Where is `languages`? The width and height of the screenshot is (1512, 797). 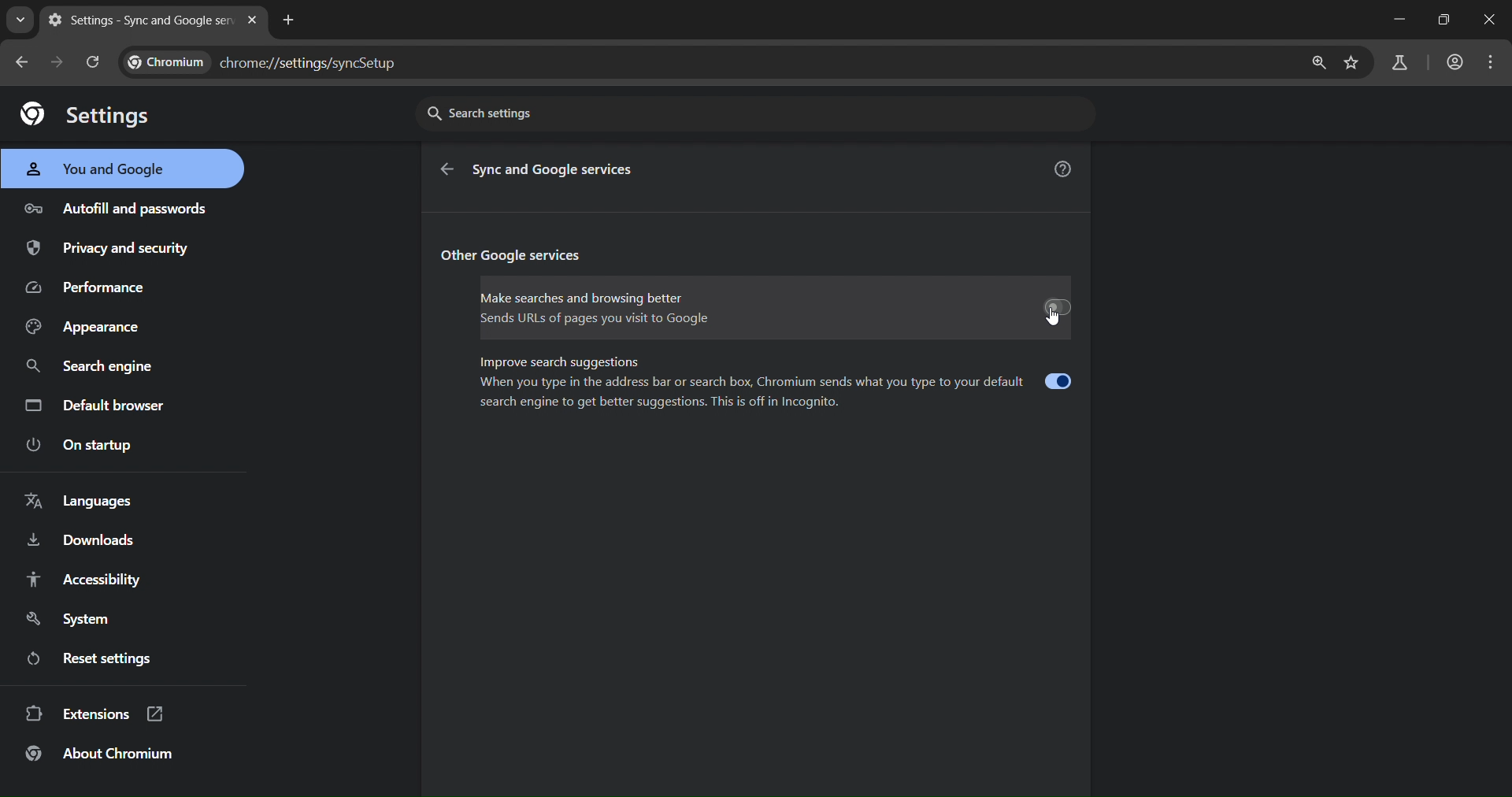 languages is located at coordinates (77, 502).